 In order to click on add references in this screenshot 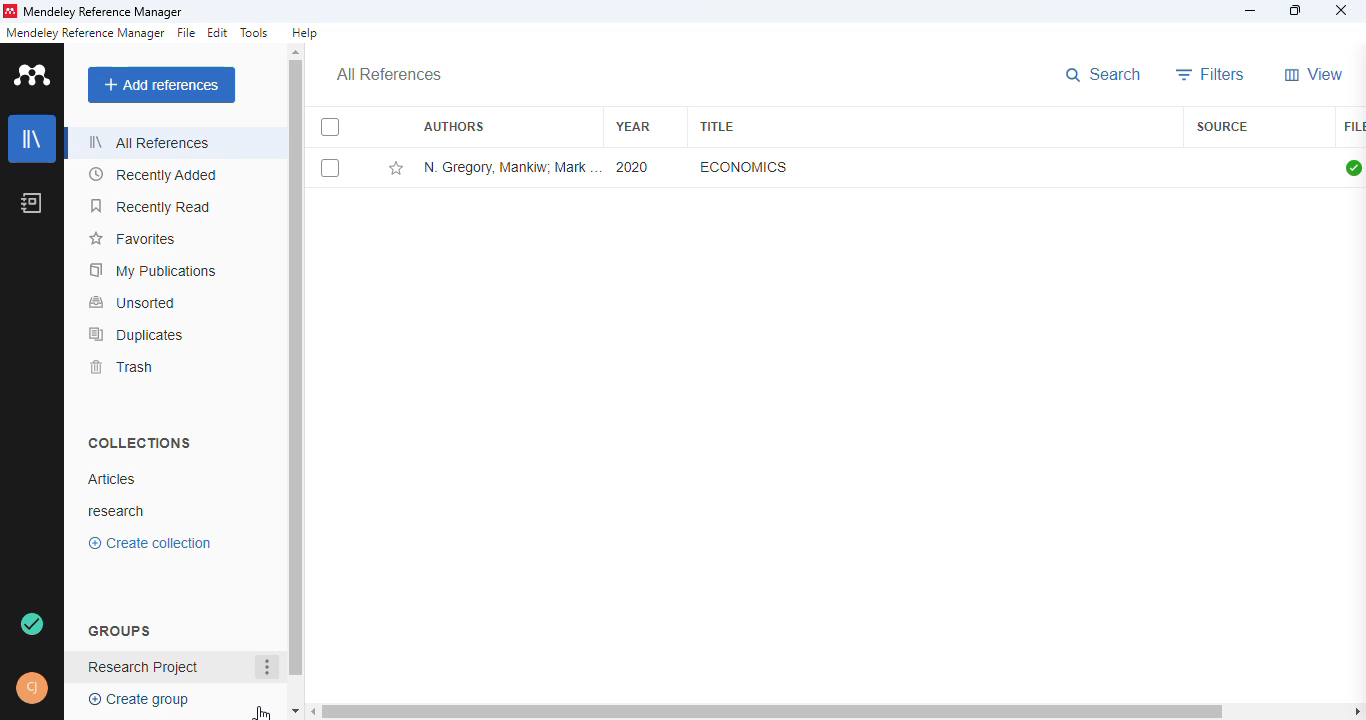, I will do `click(162, 85)`.